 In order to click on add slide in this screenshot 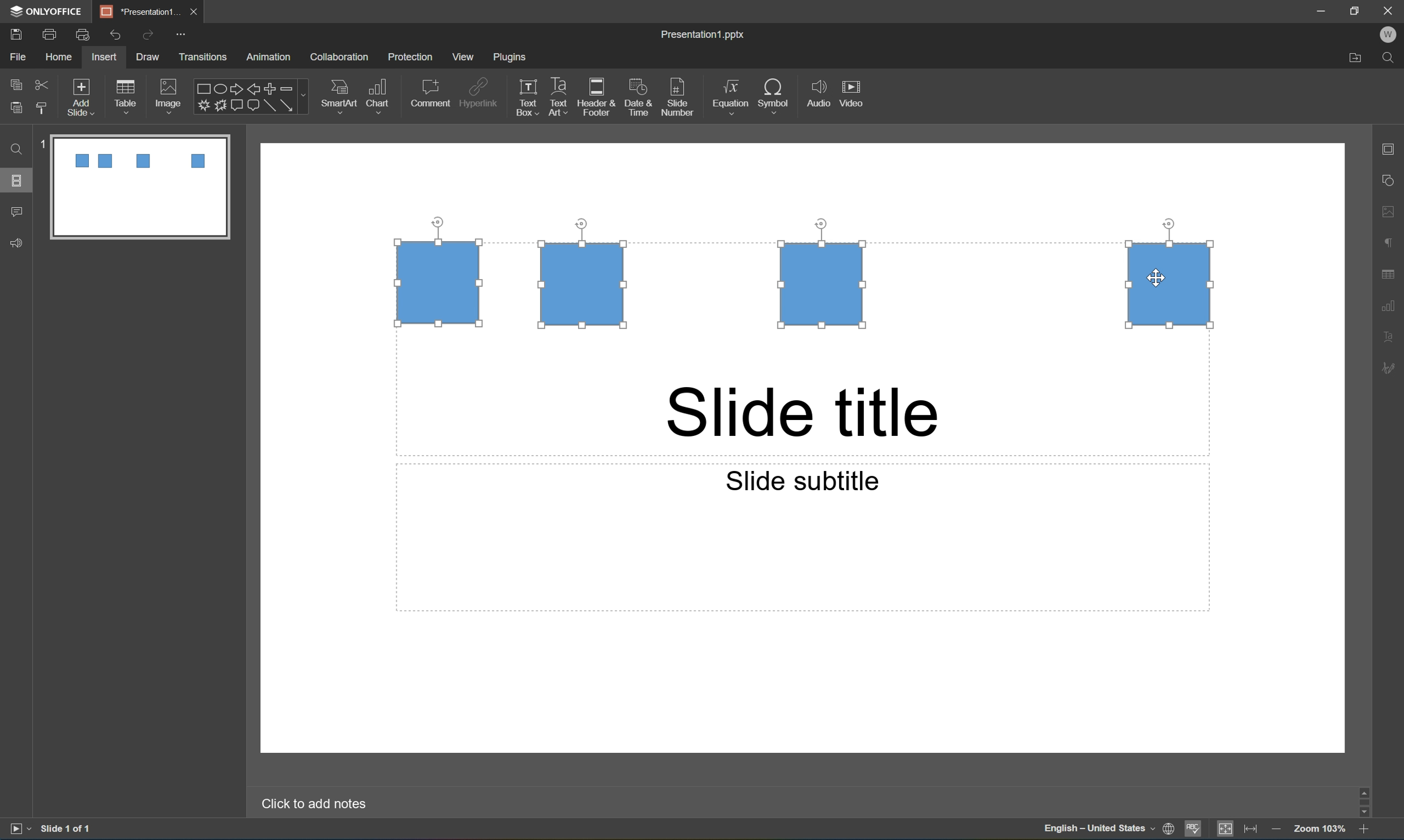, I will do `click(83, 95)`.